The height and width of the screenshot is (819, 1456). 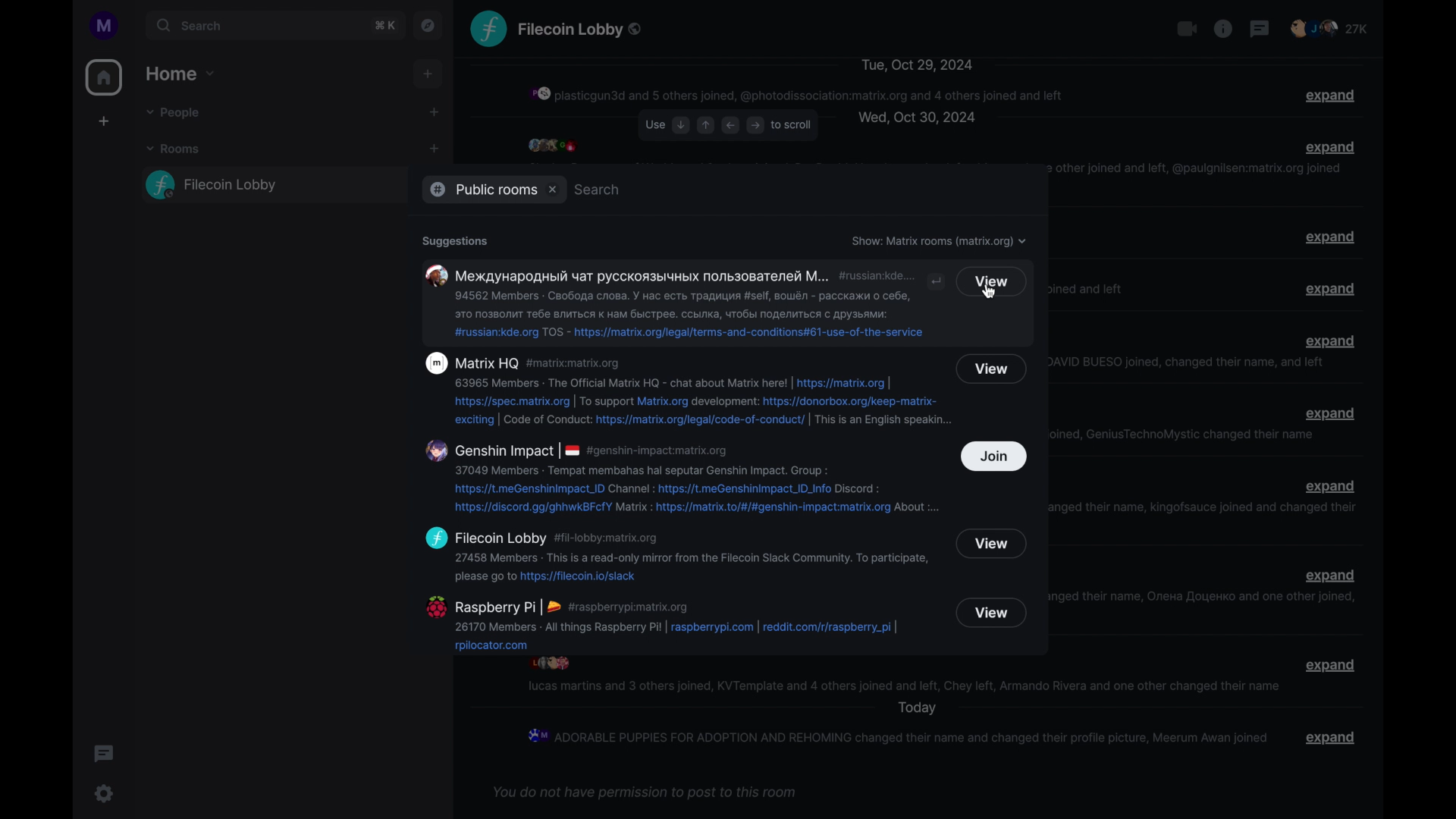 What do you see at coordinates (896, 736) in the screenshot?
I see `ADORABLE PUPPIES FOR ADOPTION AND REHOMING changed their name and changed their profile picture, Meerum Awan joined` at bounding box center [896, 736].